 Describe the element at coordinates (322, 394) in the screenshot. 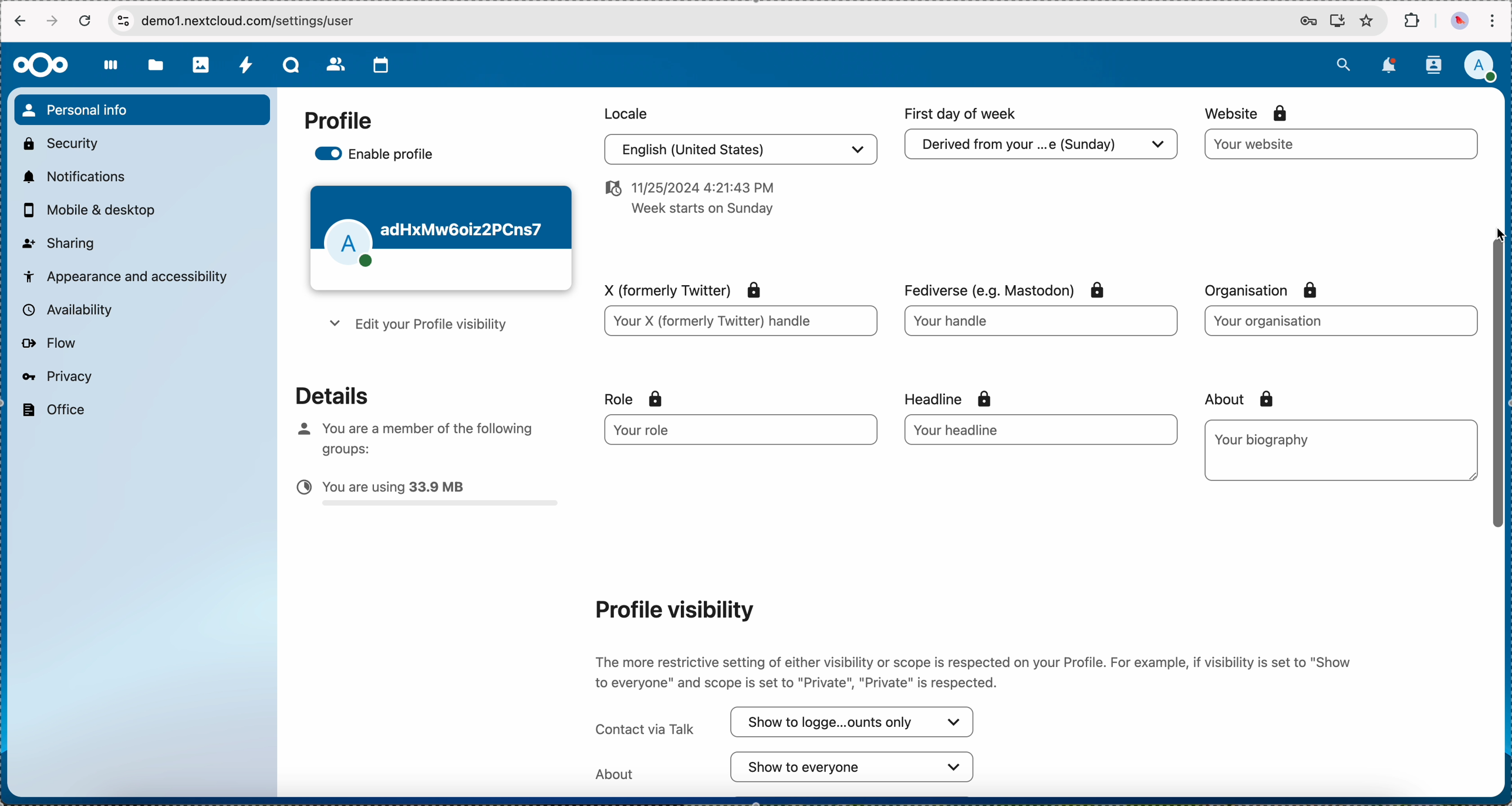

I see `details` at that location.